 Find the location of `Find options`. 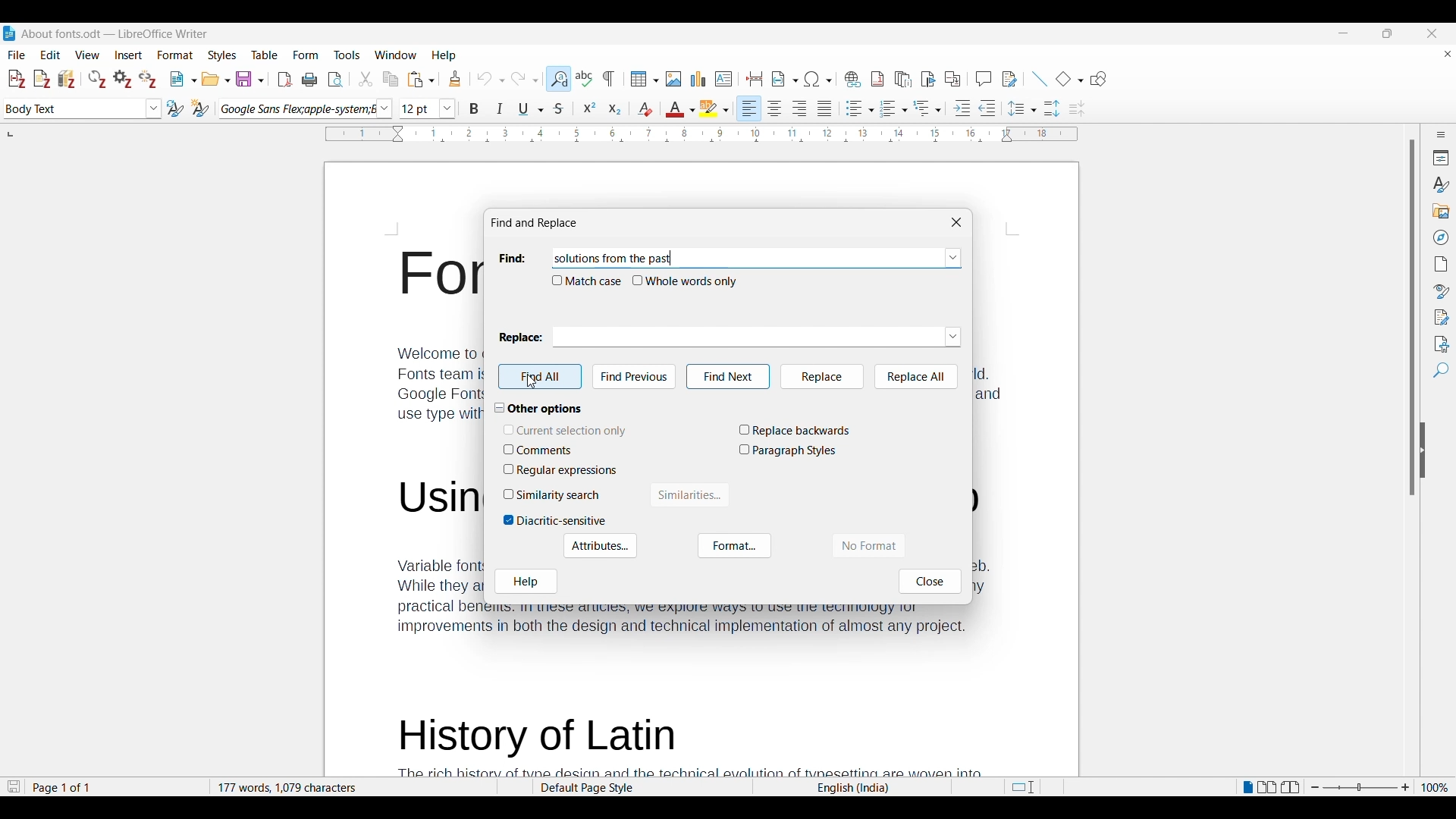

Find options is located at coordinates (953, 259).